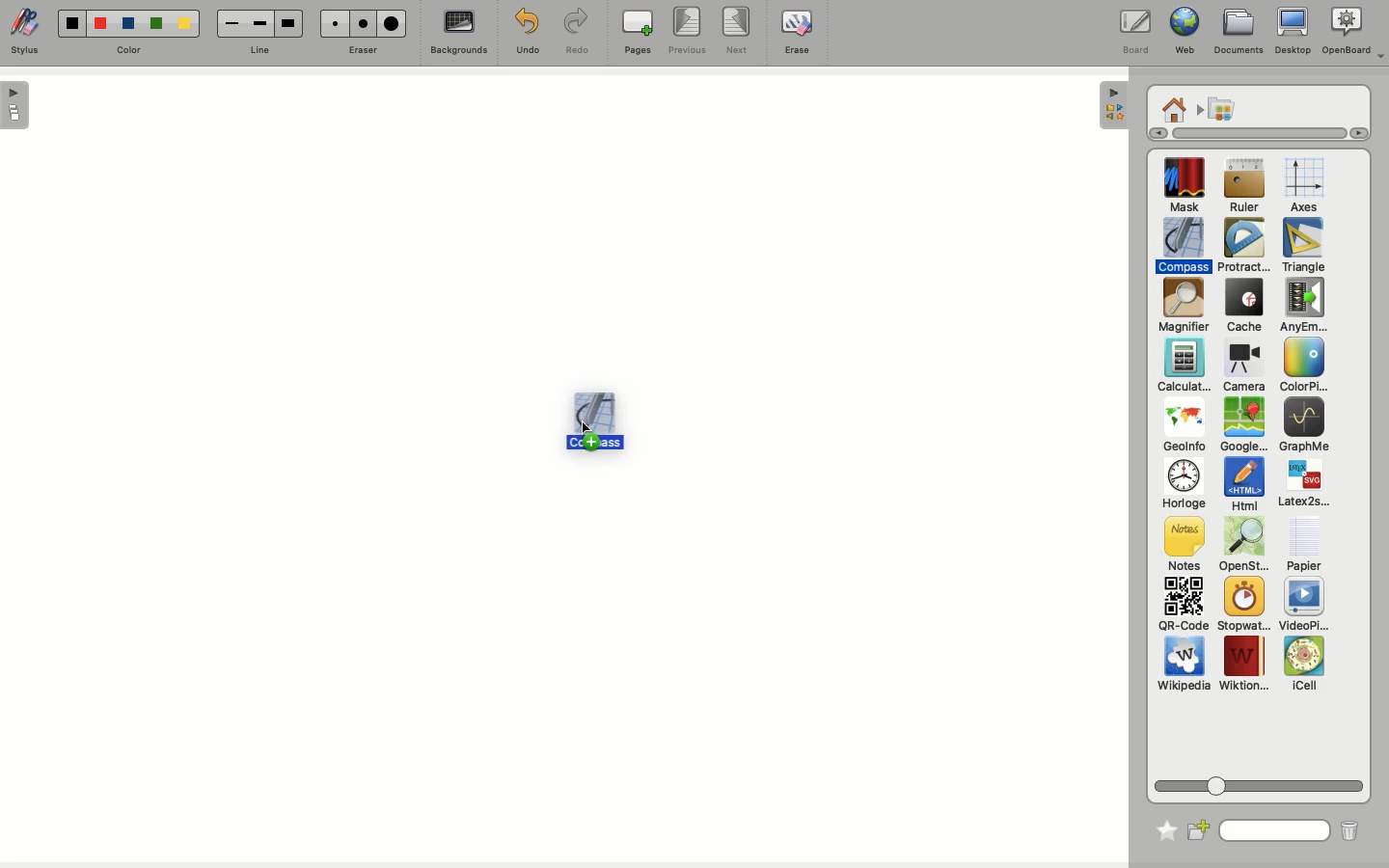  I want to click on Wiktion, so click(1244, 665).